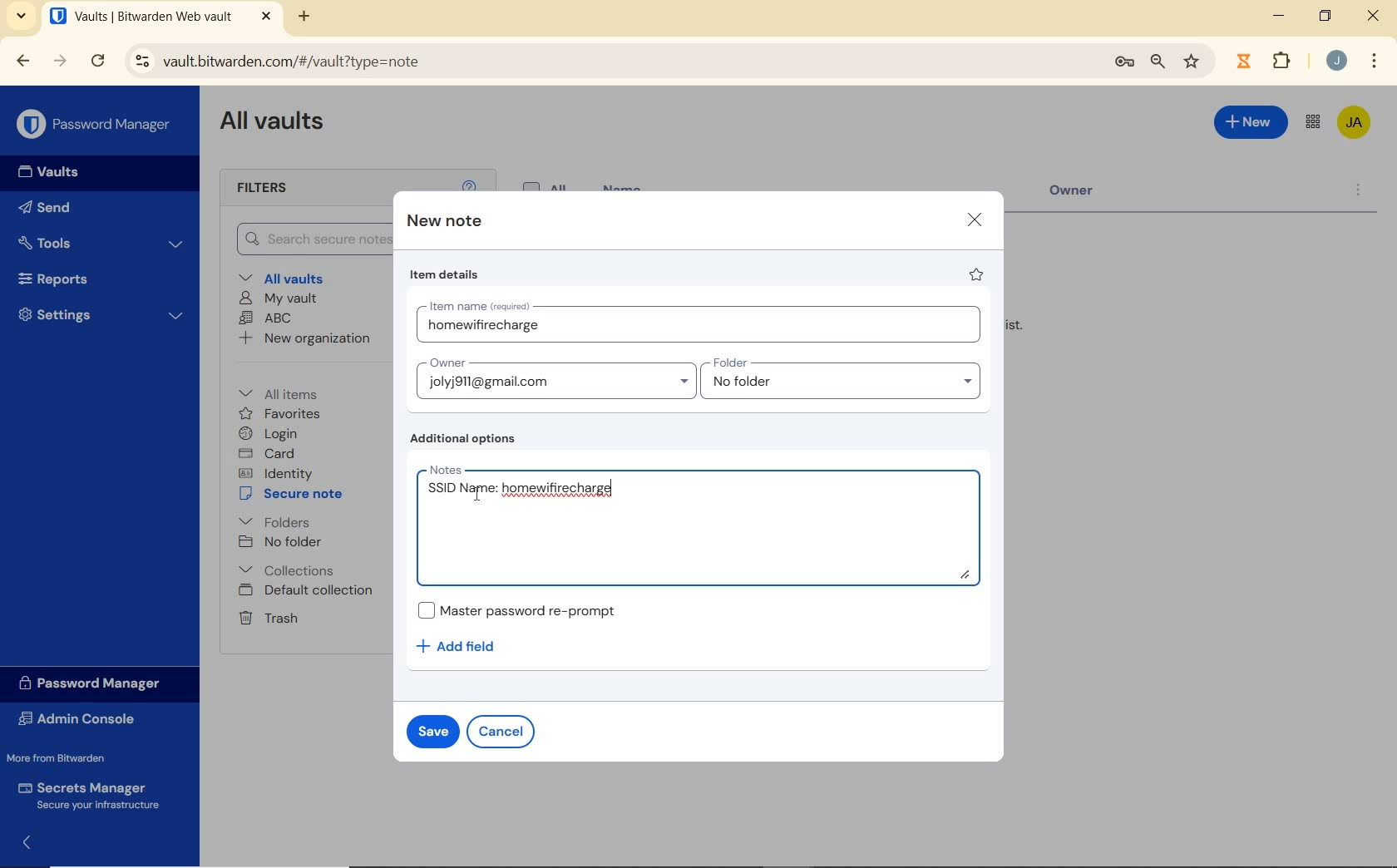  What do you see at coordinates (1124, 65) in the screenshot?
I see `manage passwords` at bounding box center [1124, 65].